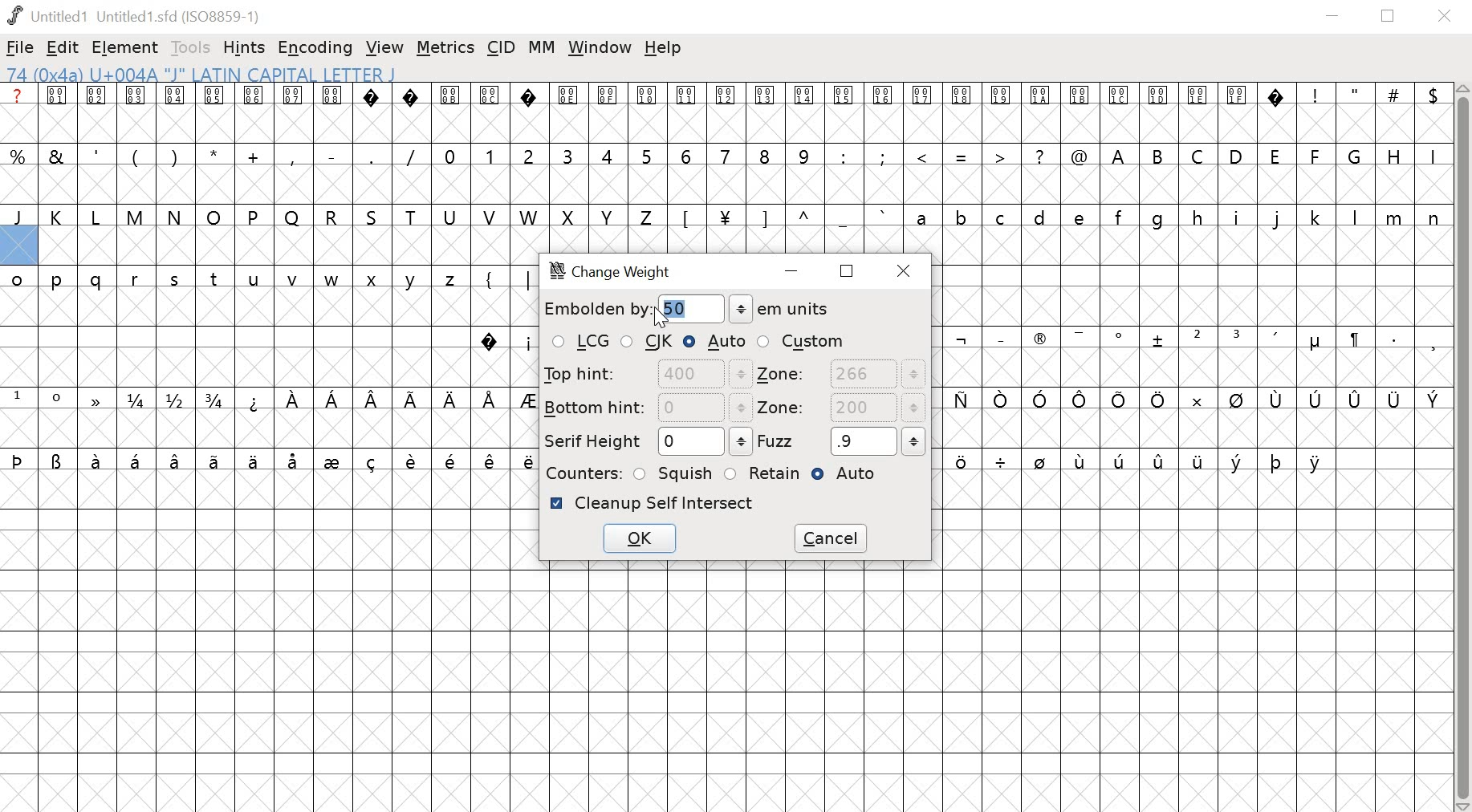 The height and width of the screenshot is (812, 1472). What do you see at coordinates (20, 47) in the screenshot?
I see `FILE` at bounding box center [20, 47].